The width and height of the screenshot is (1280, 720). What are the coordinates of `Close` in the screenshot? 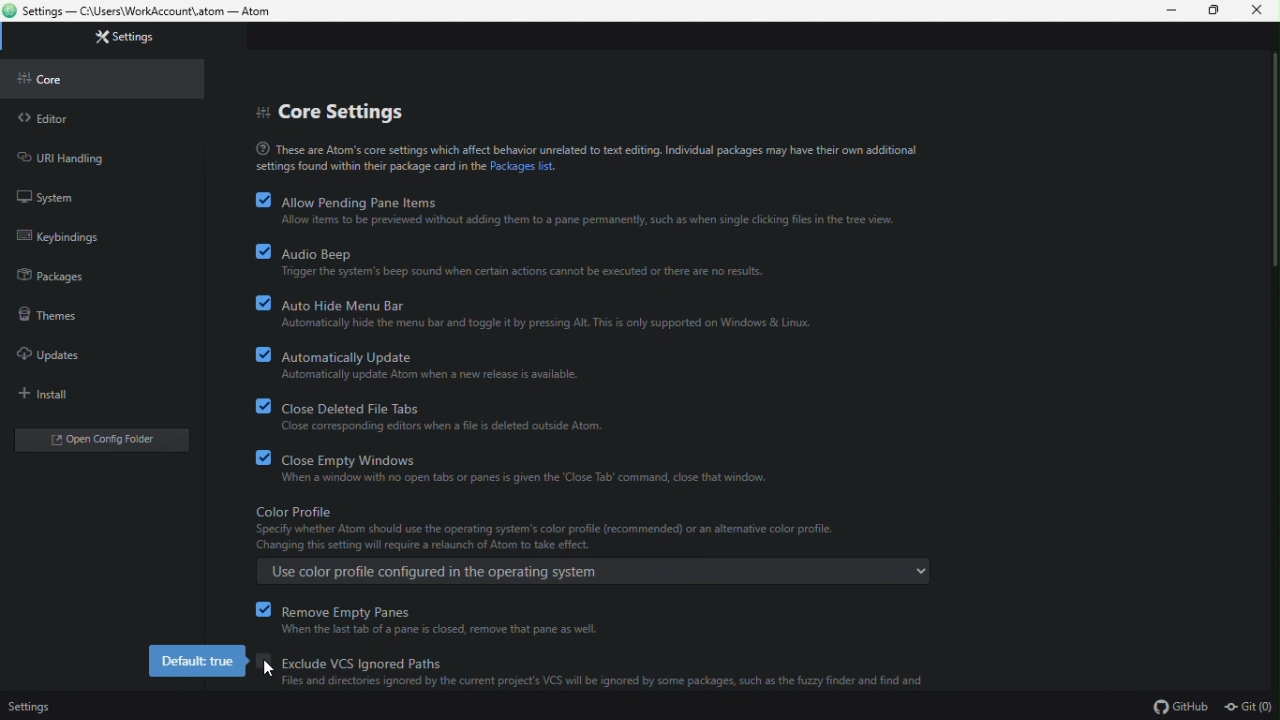 It's located at (1263, 13).